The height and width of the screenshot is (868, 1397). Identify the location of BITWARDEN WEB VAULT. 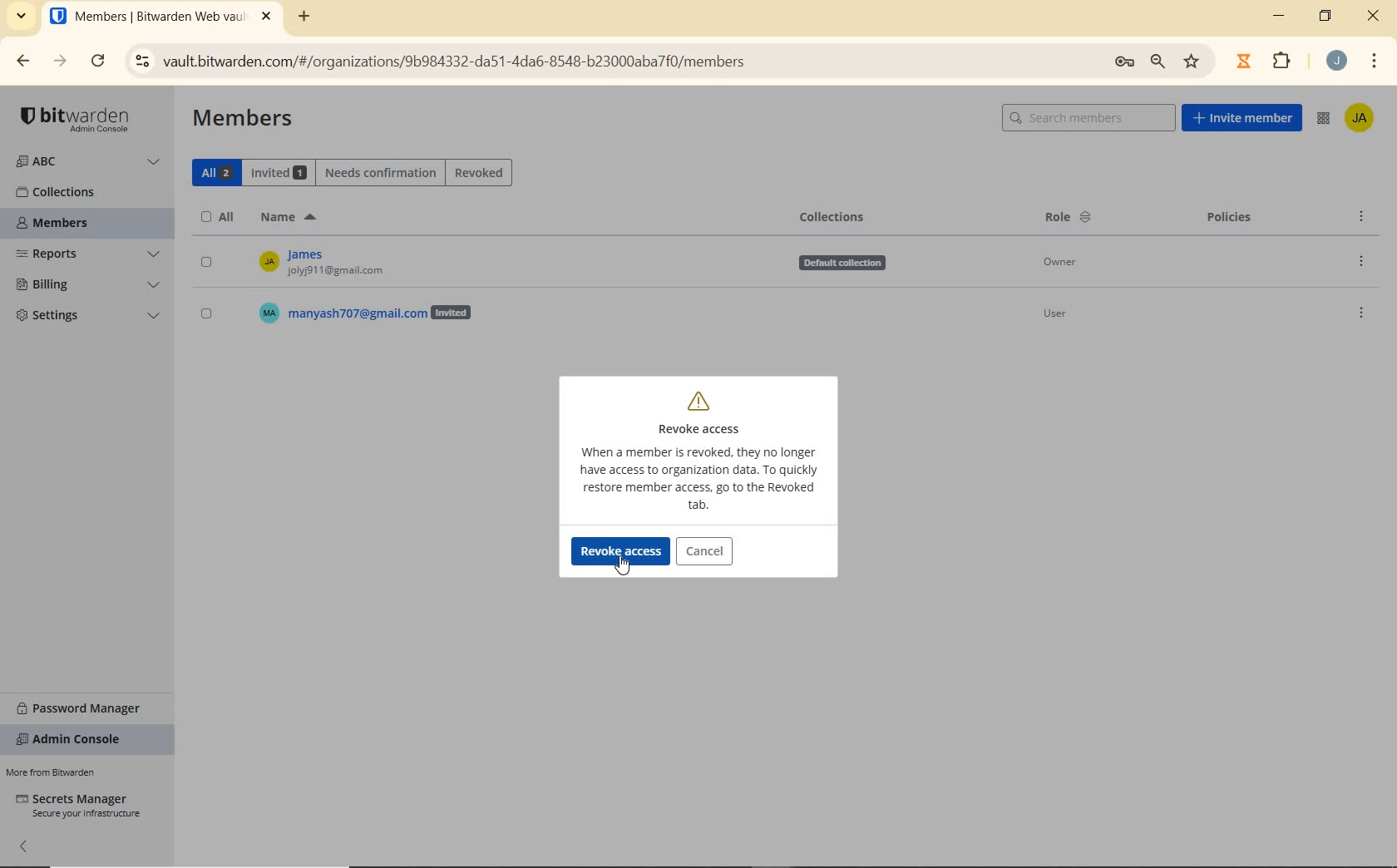
(163, 18).